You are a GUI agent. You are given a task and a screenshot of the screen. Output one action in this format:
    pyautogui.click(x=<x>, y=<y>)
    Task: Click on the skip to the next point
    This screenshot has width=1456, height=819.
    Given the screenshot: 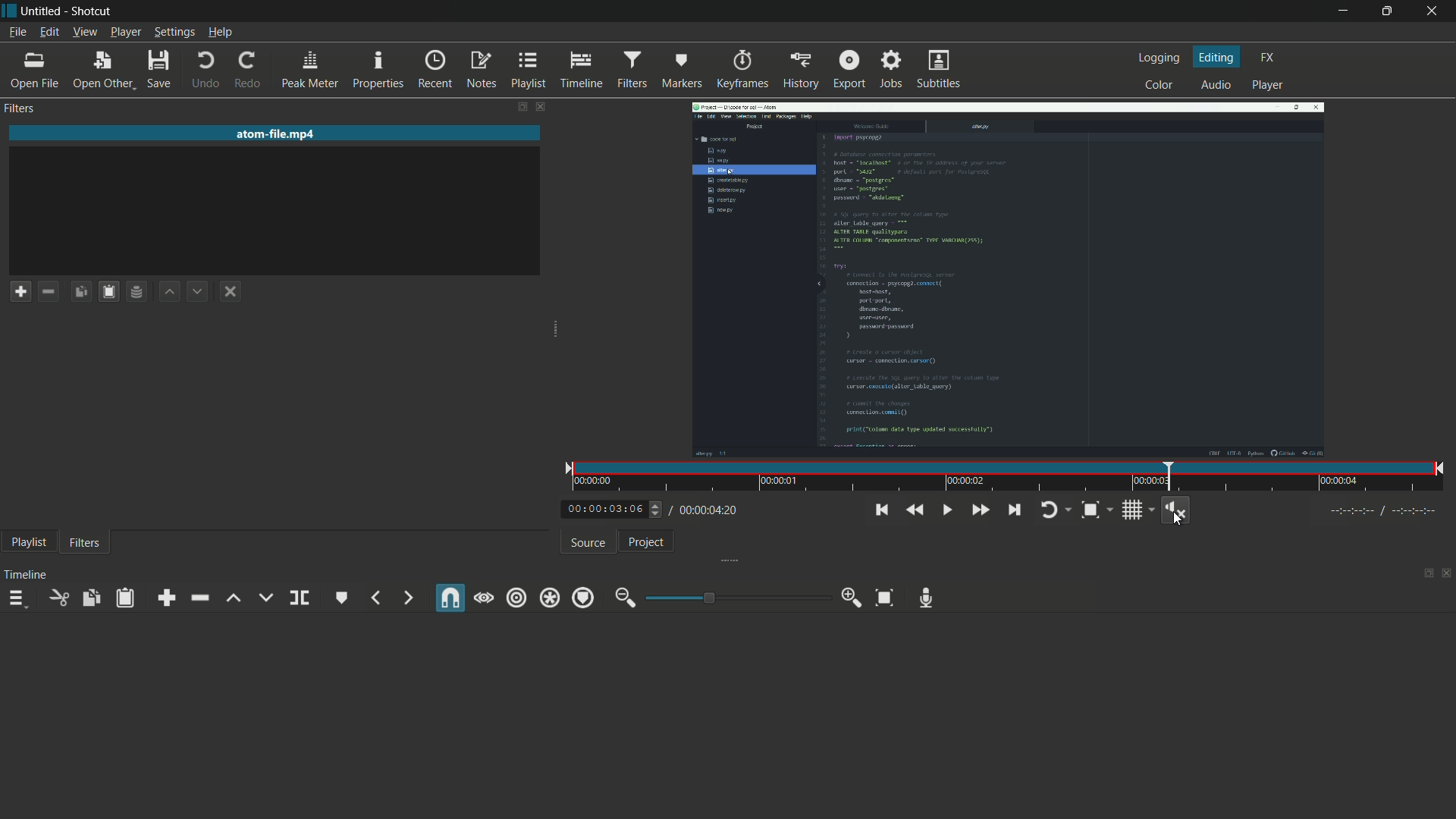 What is the action you would take?
    pyautogui.click(x=1013, y=510)
    